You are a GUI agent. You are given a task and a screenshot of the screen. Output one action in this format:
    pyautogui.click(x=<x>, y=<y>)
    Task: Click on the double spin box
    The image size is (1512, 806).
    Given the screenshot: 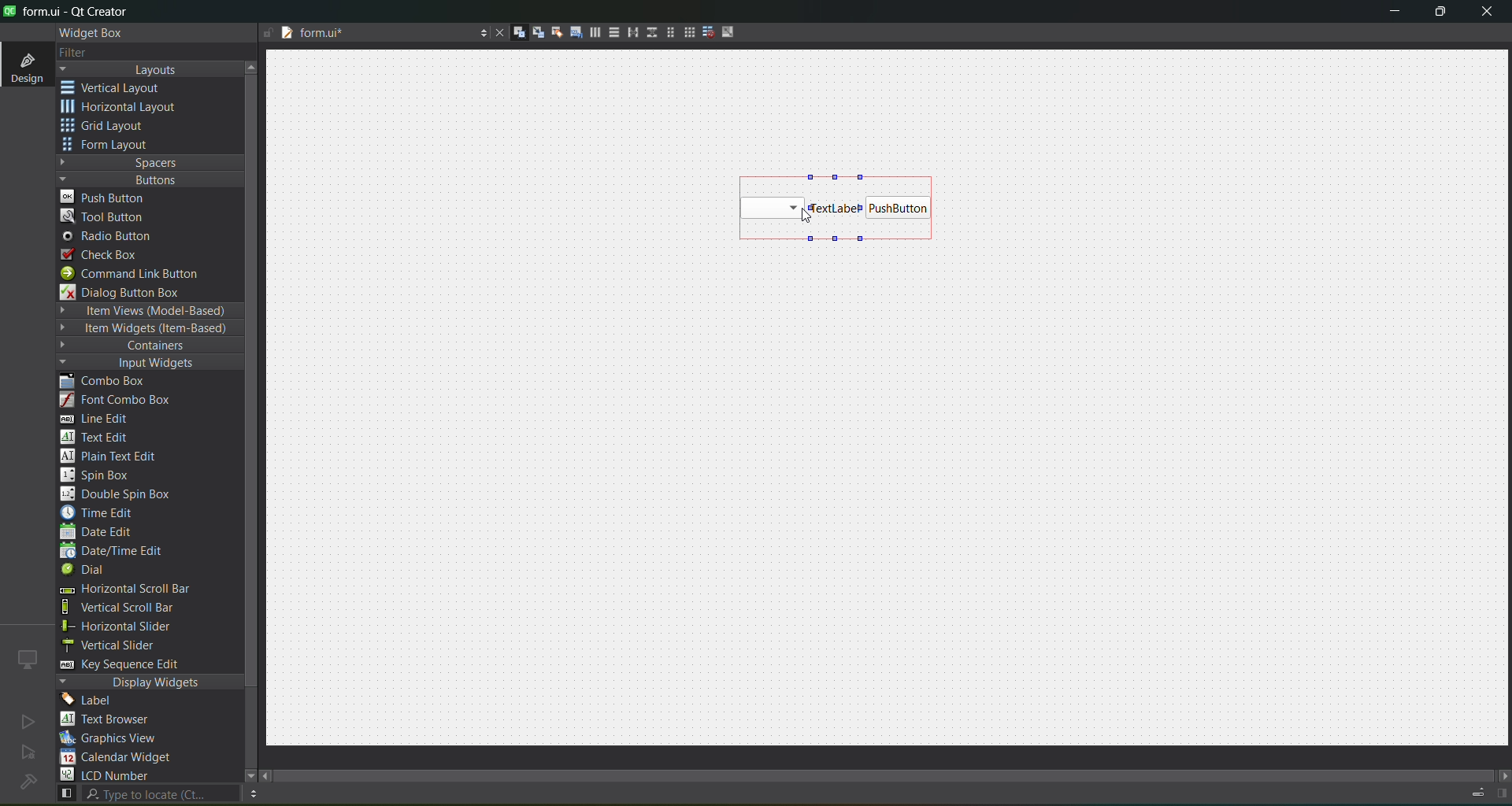 What is the action you would take?
    pyautogui.click(x=127, y=494)
    